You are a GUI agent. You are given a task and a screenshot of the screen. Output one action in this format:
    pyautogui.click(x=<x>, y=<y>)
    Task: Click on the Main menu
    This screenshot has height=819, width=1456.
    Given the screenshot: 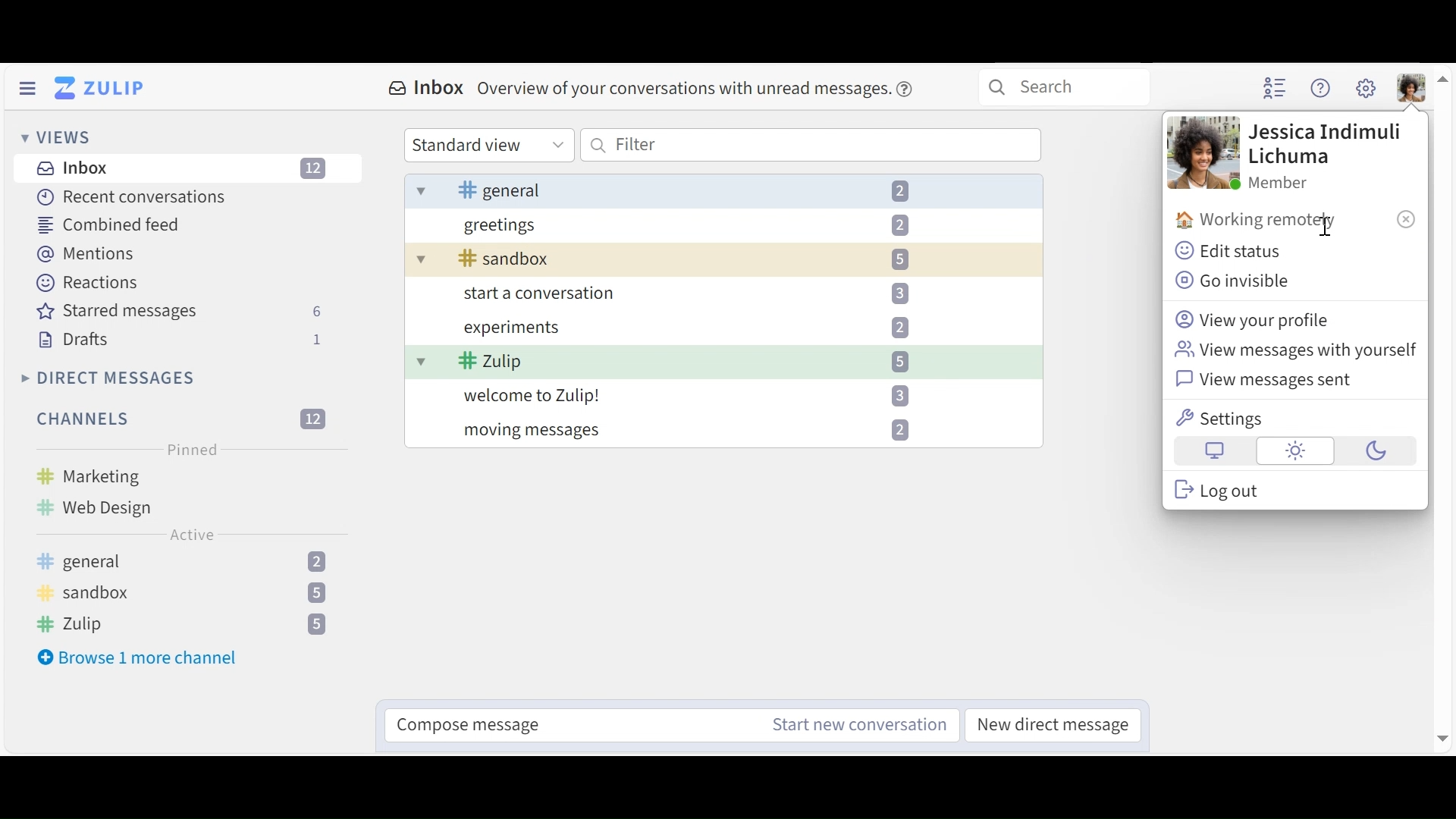 What is the action you would take?
    pyautogui.click(x=1366, y=89)
    